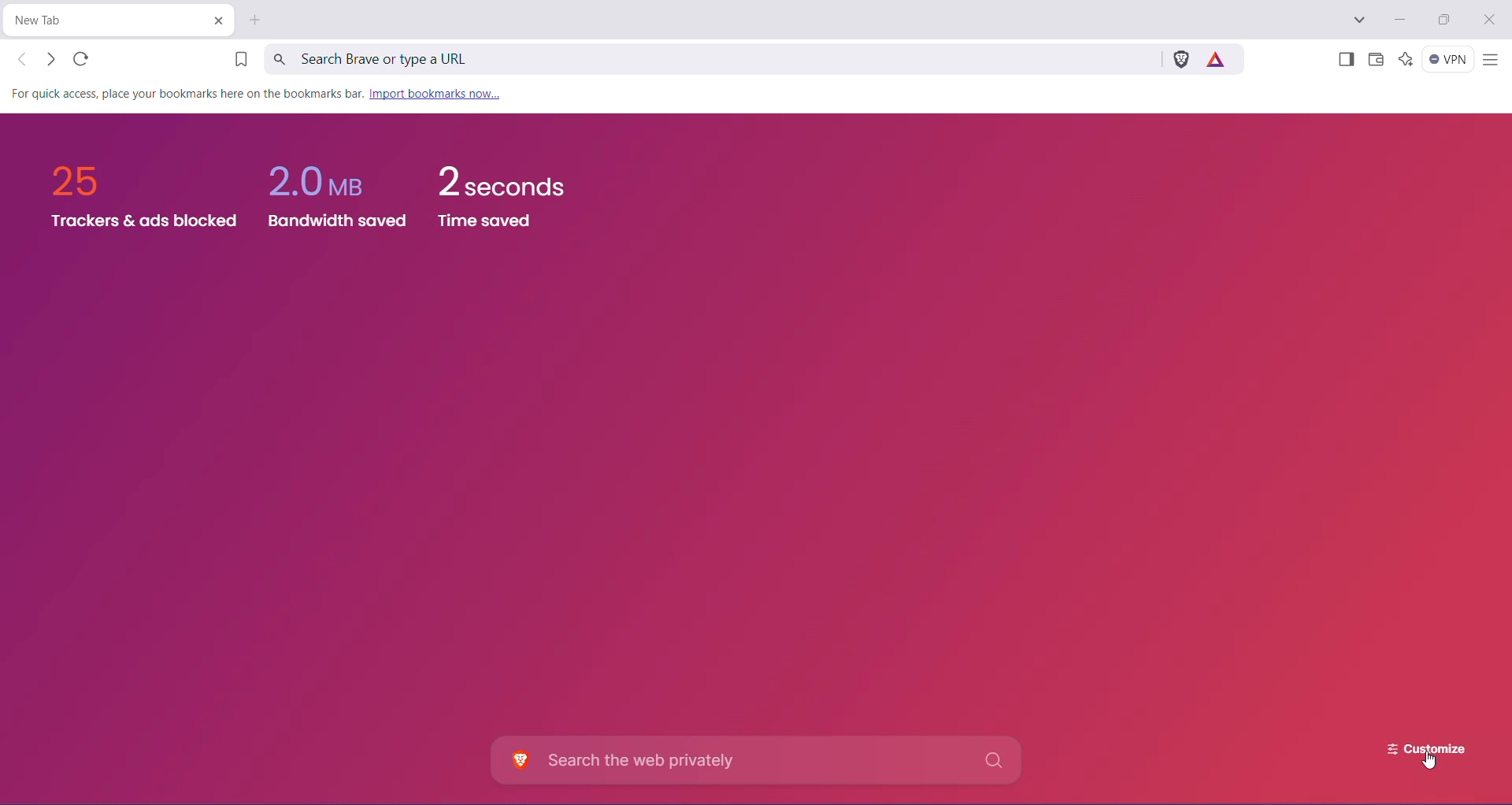 The width and height of the screenshot is (1512, 805). I want to click on Customize, so click(1414, 744).